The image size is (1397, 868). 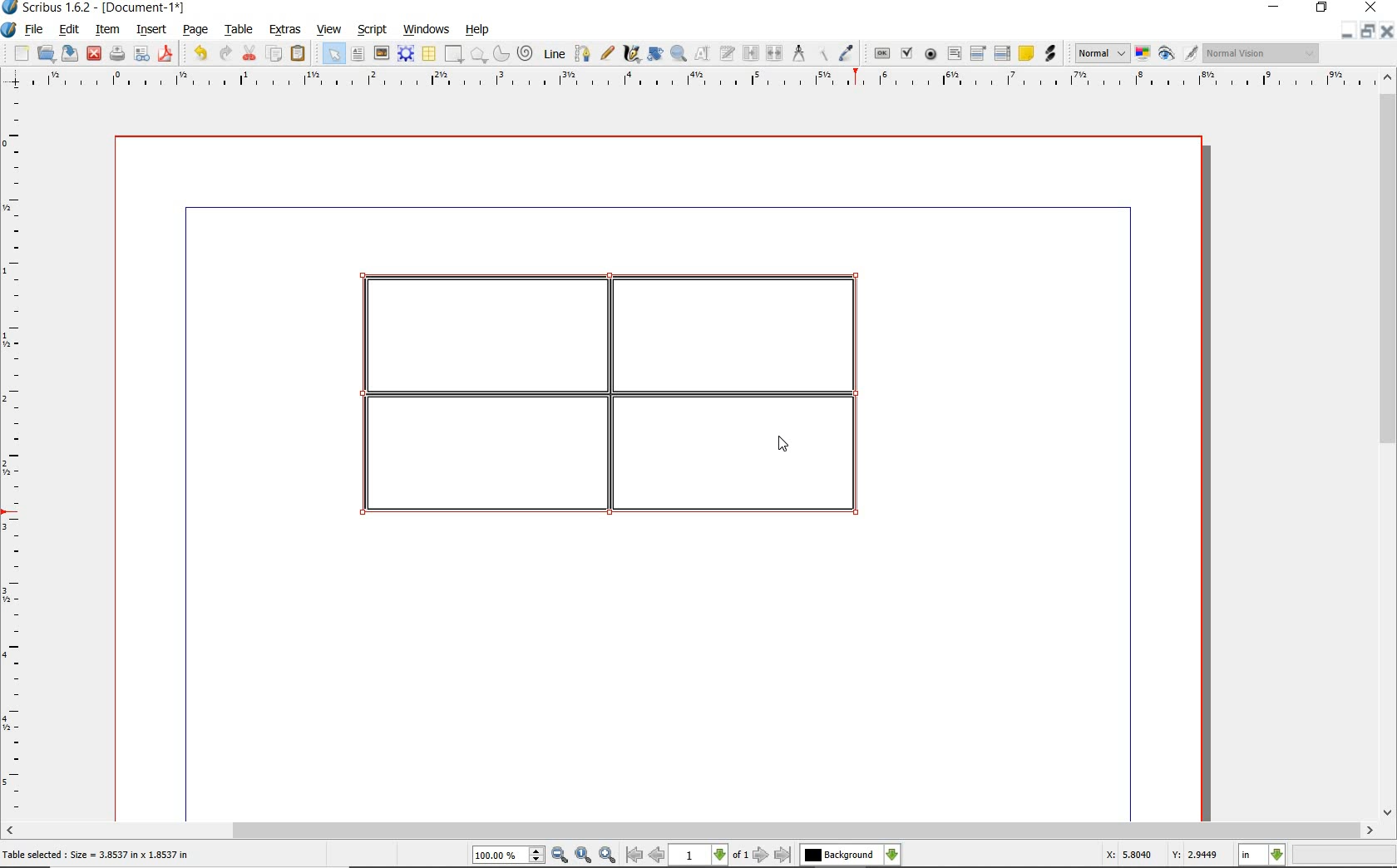 What do you see at coordinates (1101, 52) in the screenshot?
I see `image preview quality` at bounding box center [1101, 52].